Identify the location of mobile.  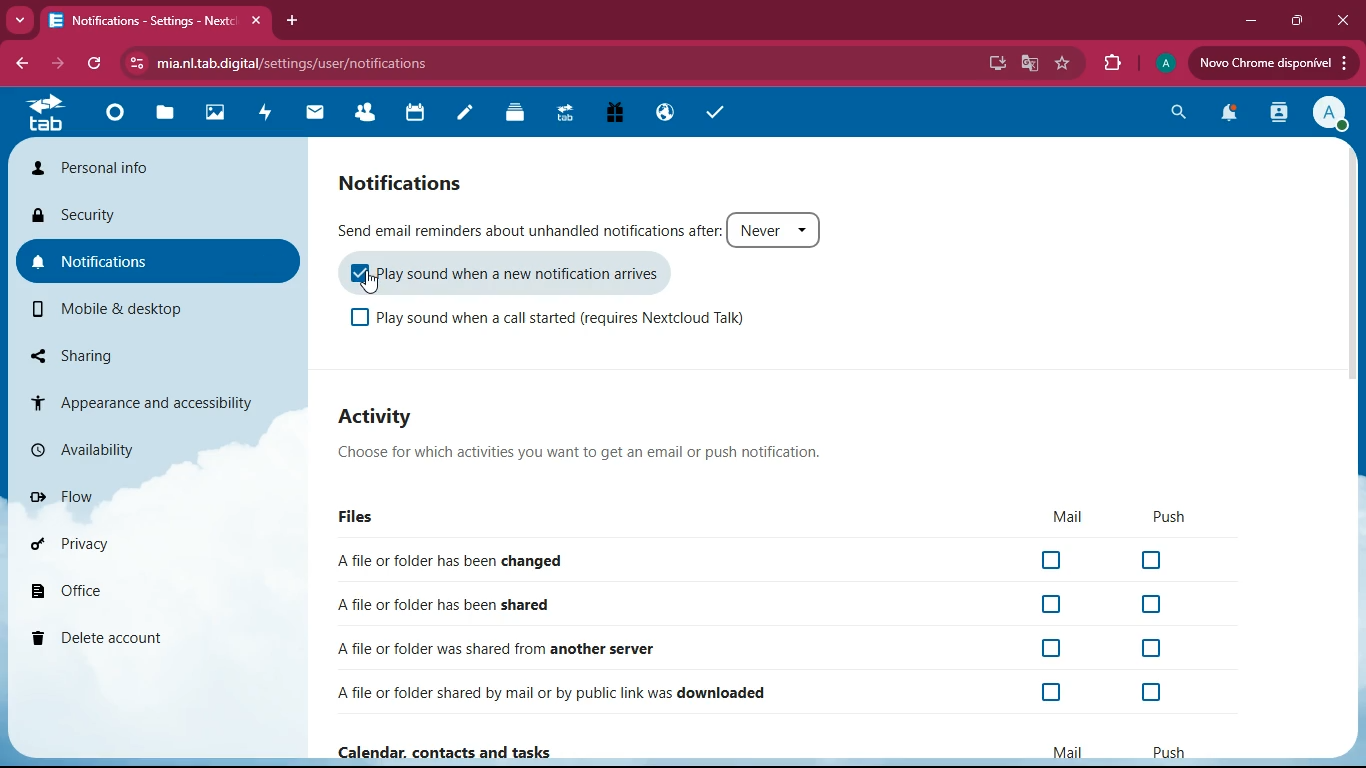
(135, 308).